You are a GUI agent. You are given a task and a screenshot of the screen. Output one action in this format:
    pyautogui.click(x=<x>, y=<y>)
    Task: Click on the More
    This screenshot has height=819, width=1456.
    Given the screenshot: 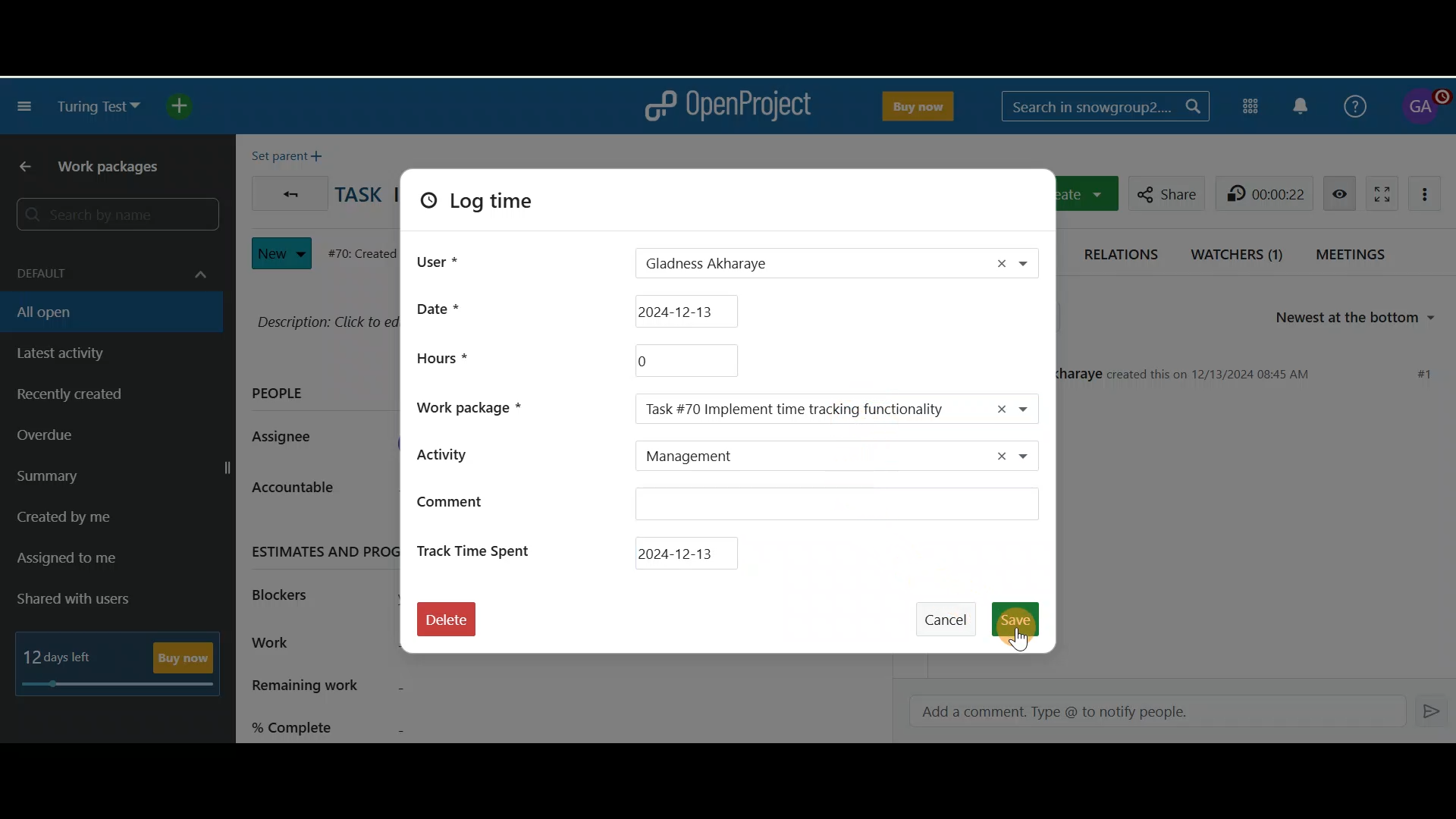 What is the action you would take?
    pyautogui.click(x=1429, y=192)
    